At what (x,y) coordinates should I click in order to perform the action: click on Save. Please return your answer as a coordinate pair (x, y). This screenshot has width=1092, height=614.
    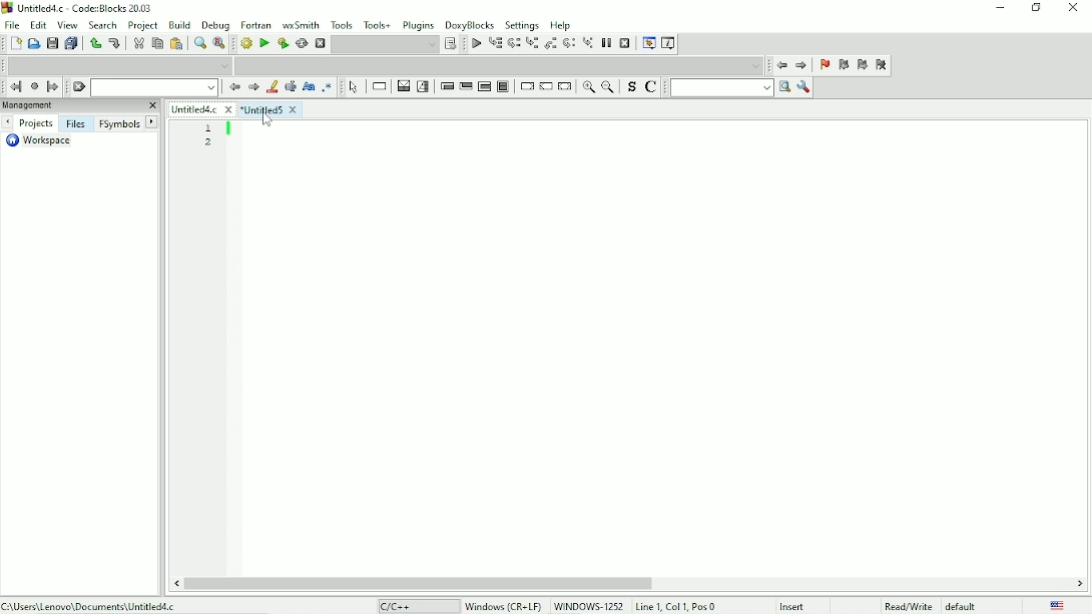
    Looking at the image, I should click on (52, 43).